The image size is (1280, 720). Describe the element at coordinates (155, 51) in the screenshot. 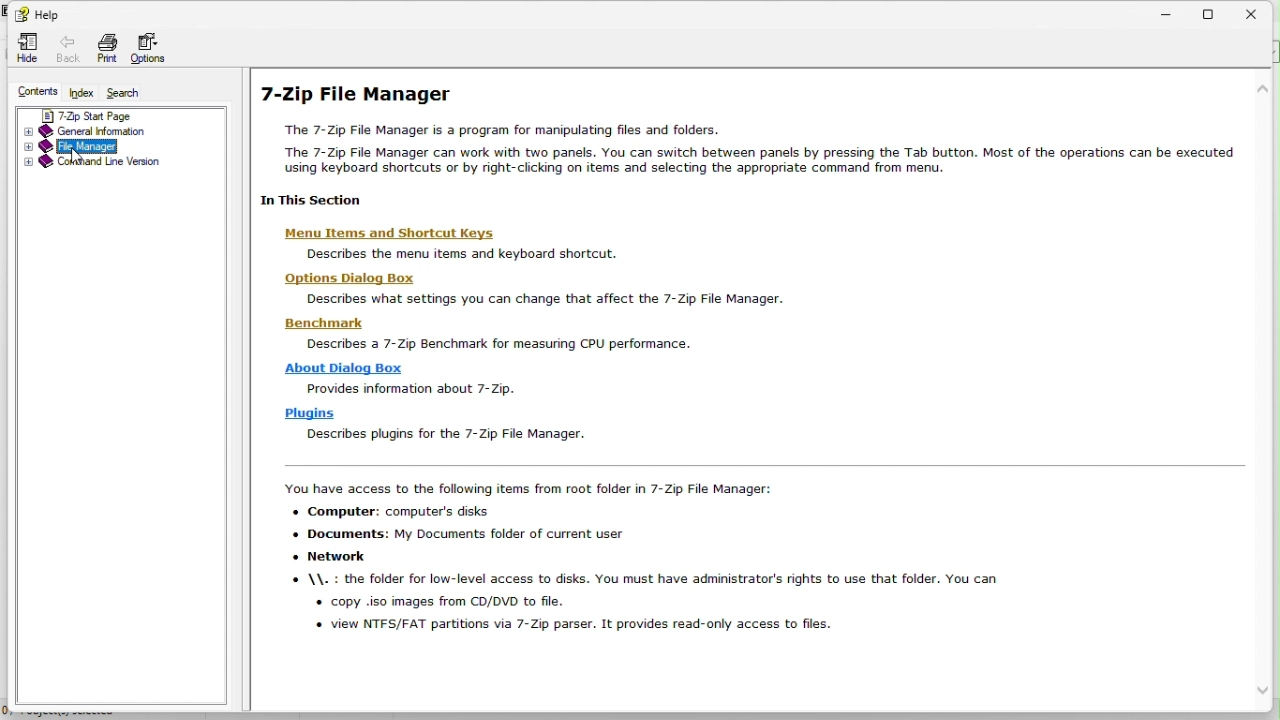

I see `options` at that location.